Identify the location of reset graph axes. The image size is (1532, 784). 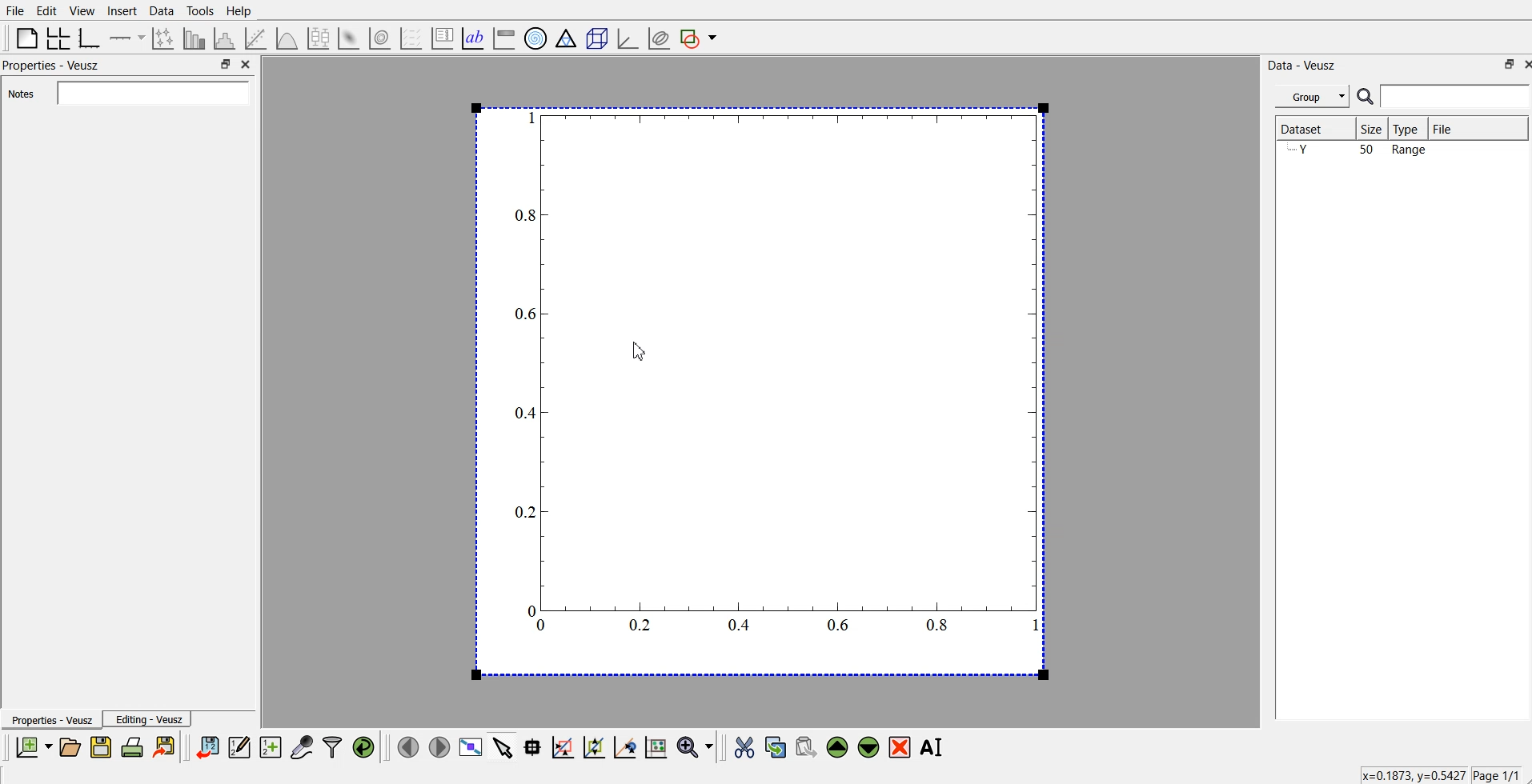
(657, 750).